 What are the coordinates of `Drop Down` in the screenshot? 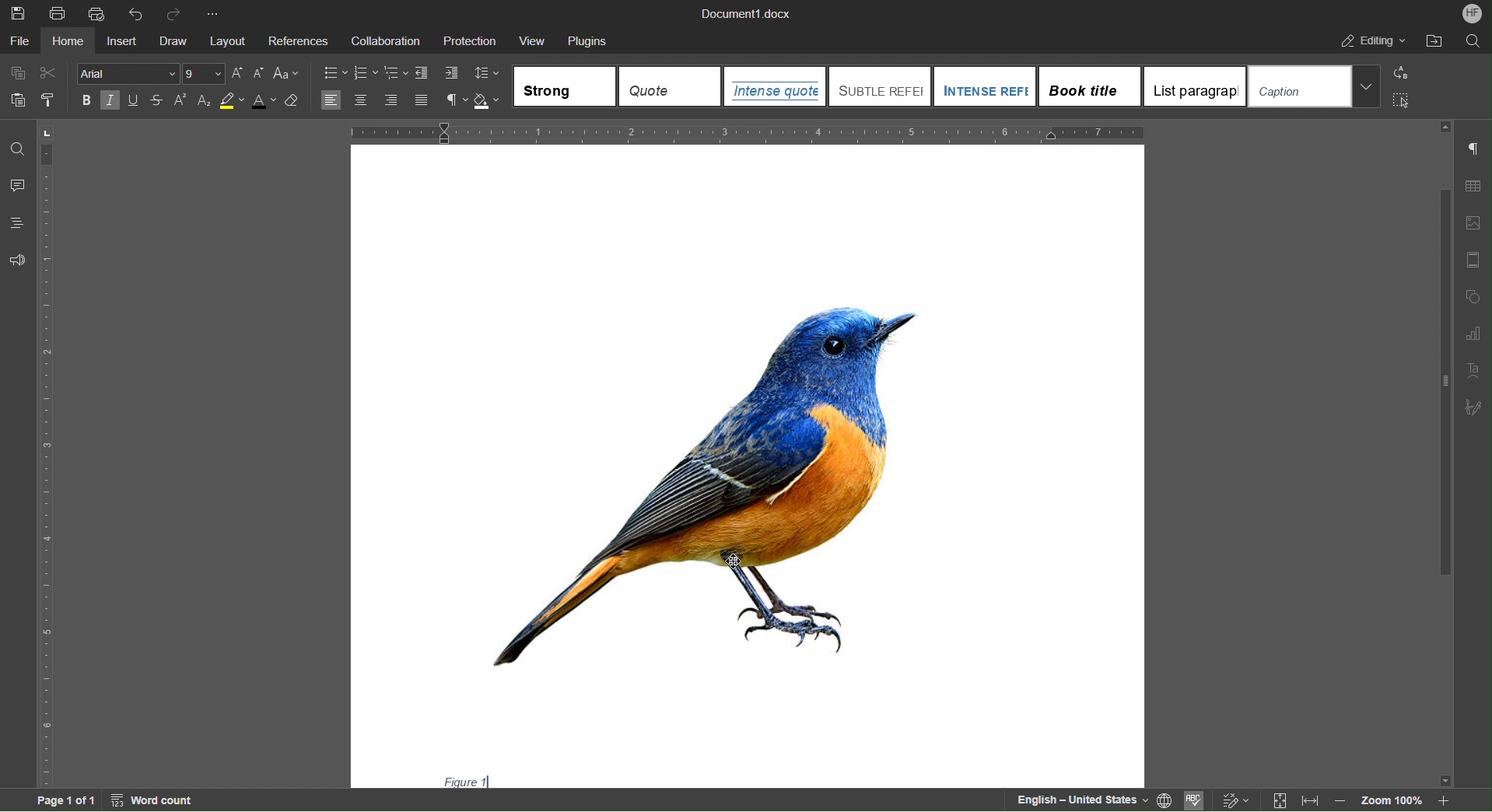 It's located at (1366, 86).